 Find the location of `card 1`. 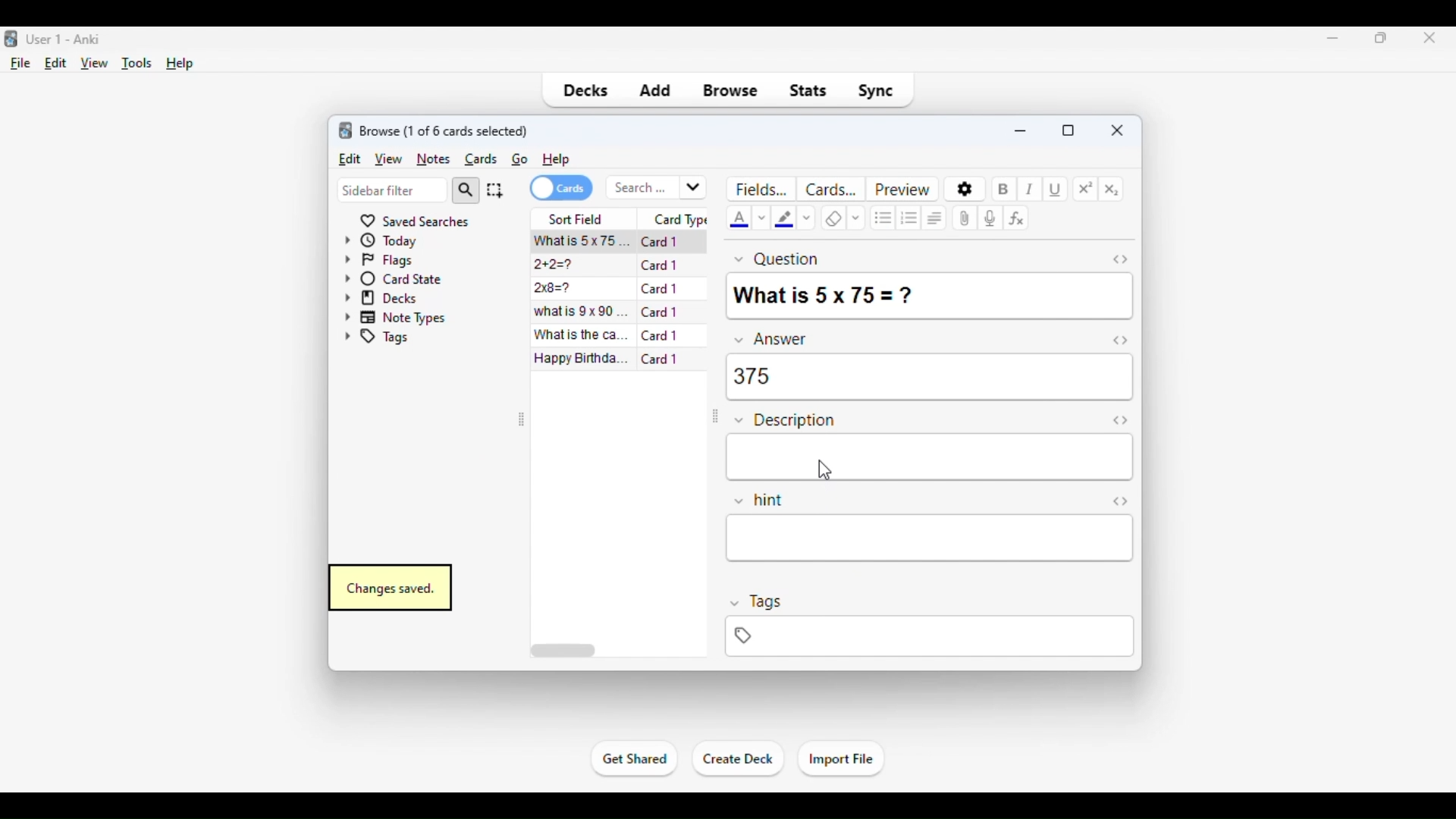

card 1 is located at coordinates (660, 358).